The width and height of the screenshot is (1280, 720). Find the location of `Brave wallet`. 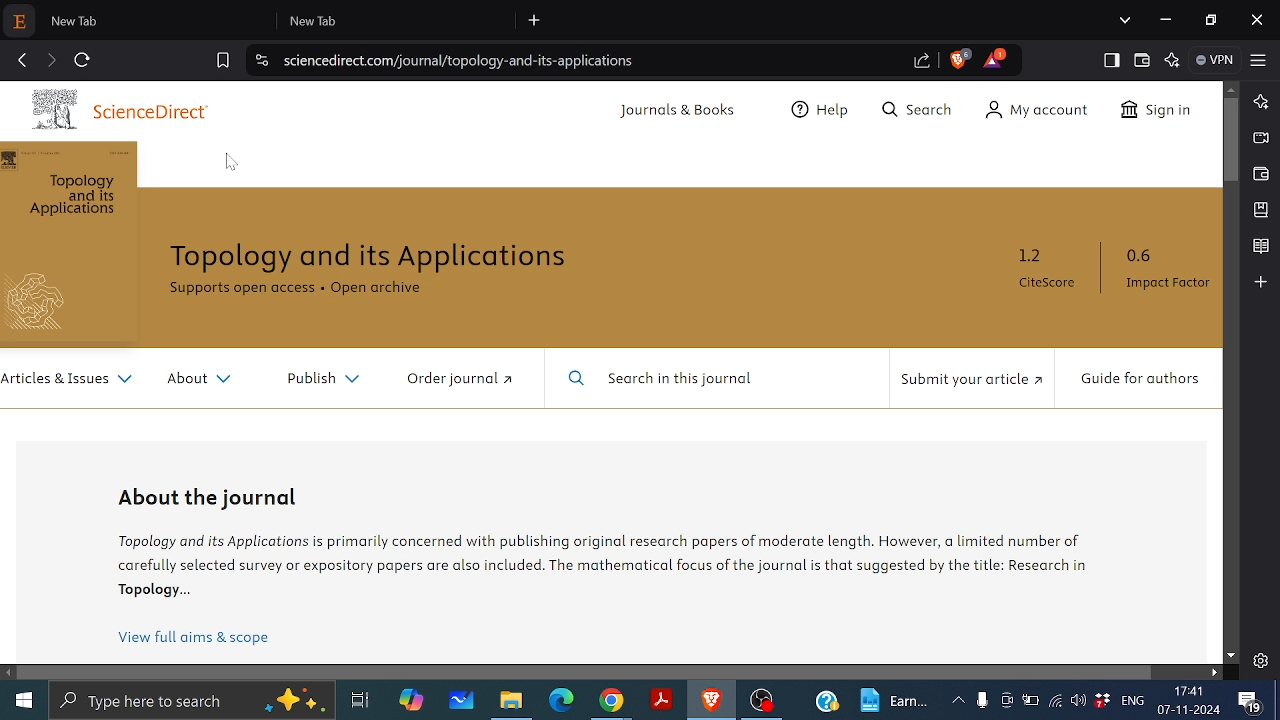

Brave wallet is located at coordinates (1261, 173).